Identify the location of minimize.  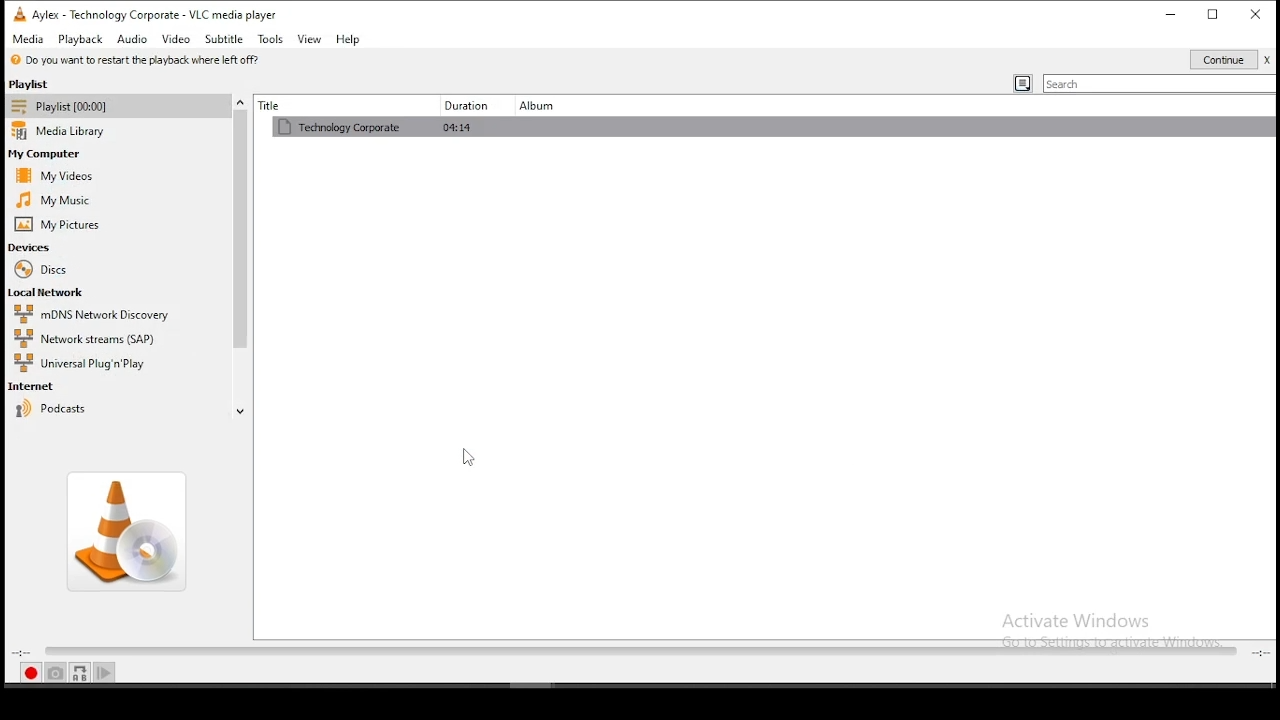
(1172, 13).